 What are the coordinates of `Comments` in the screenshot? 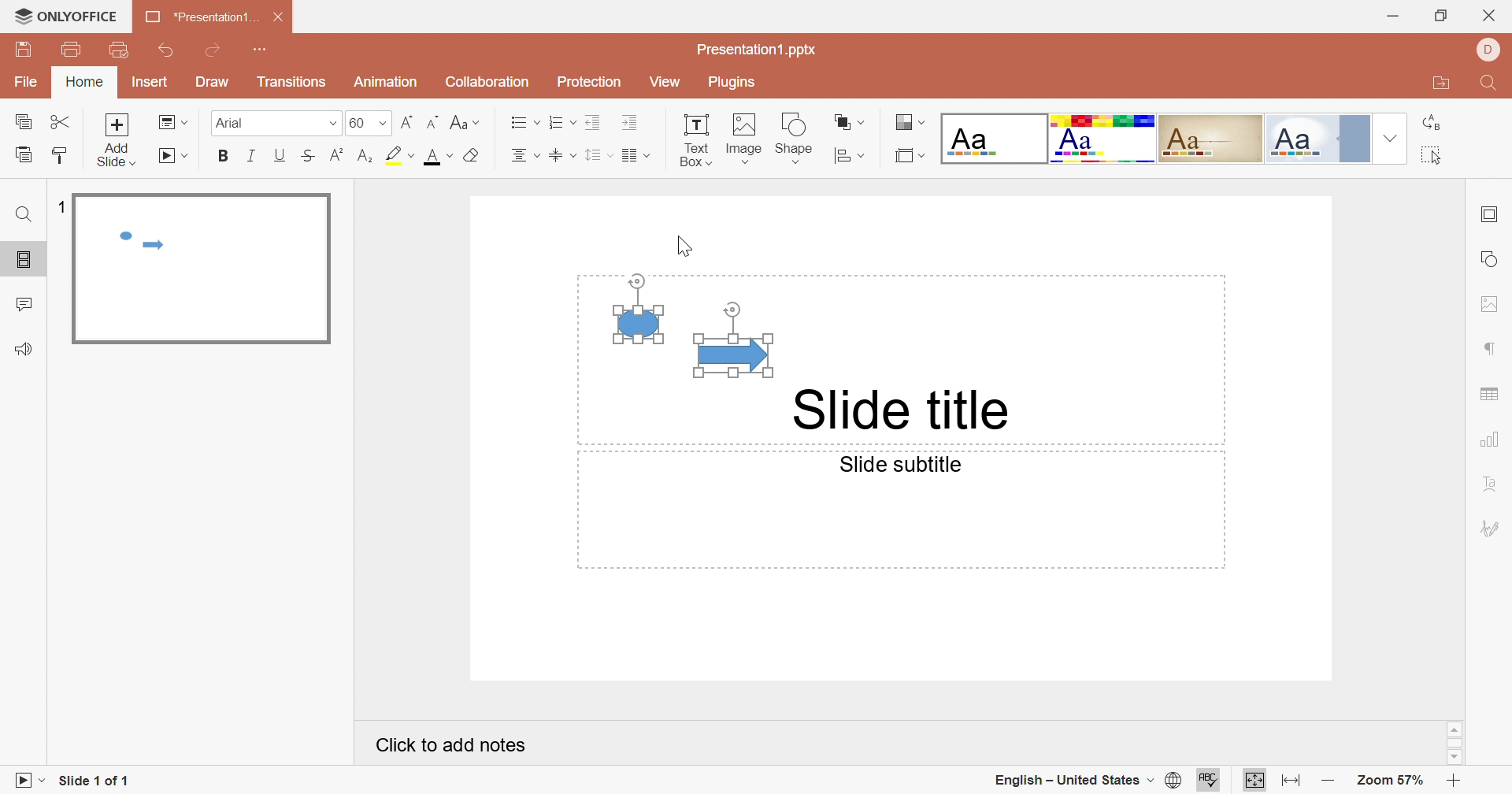 It's located at (27, 305).